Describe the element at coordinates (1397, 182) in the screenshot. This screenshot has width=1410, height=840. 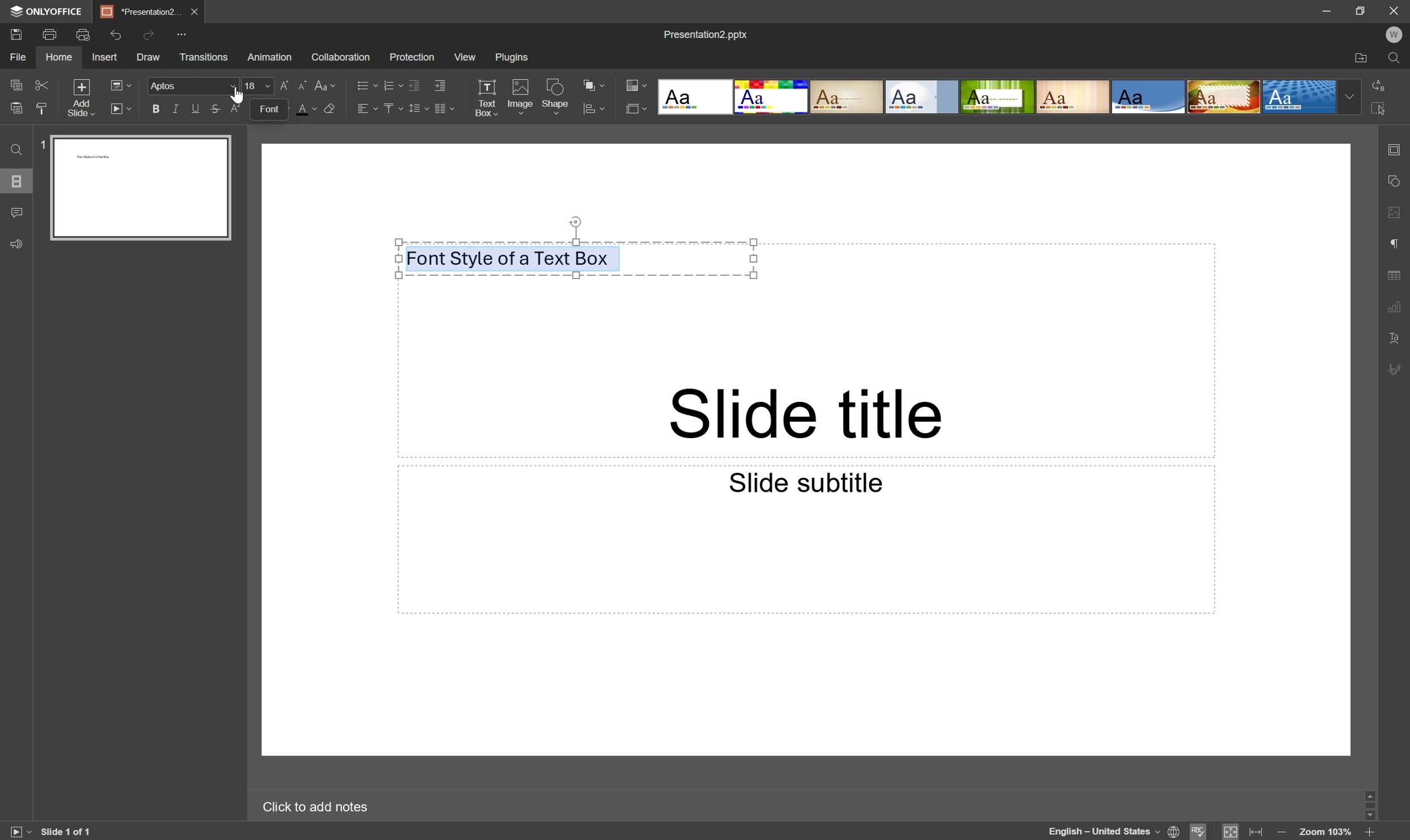
I see `Shape settings` at that location.